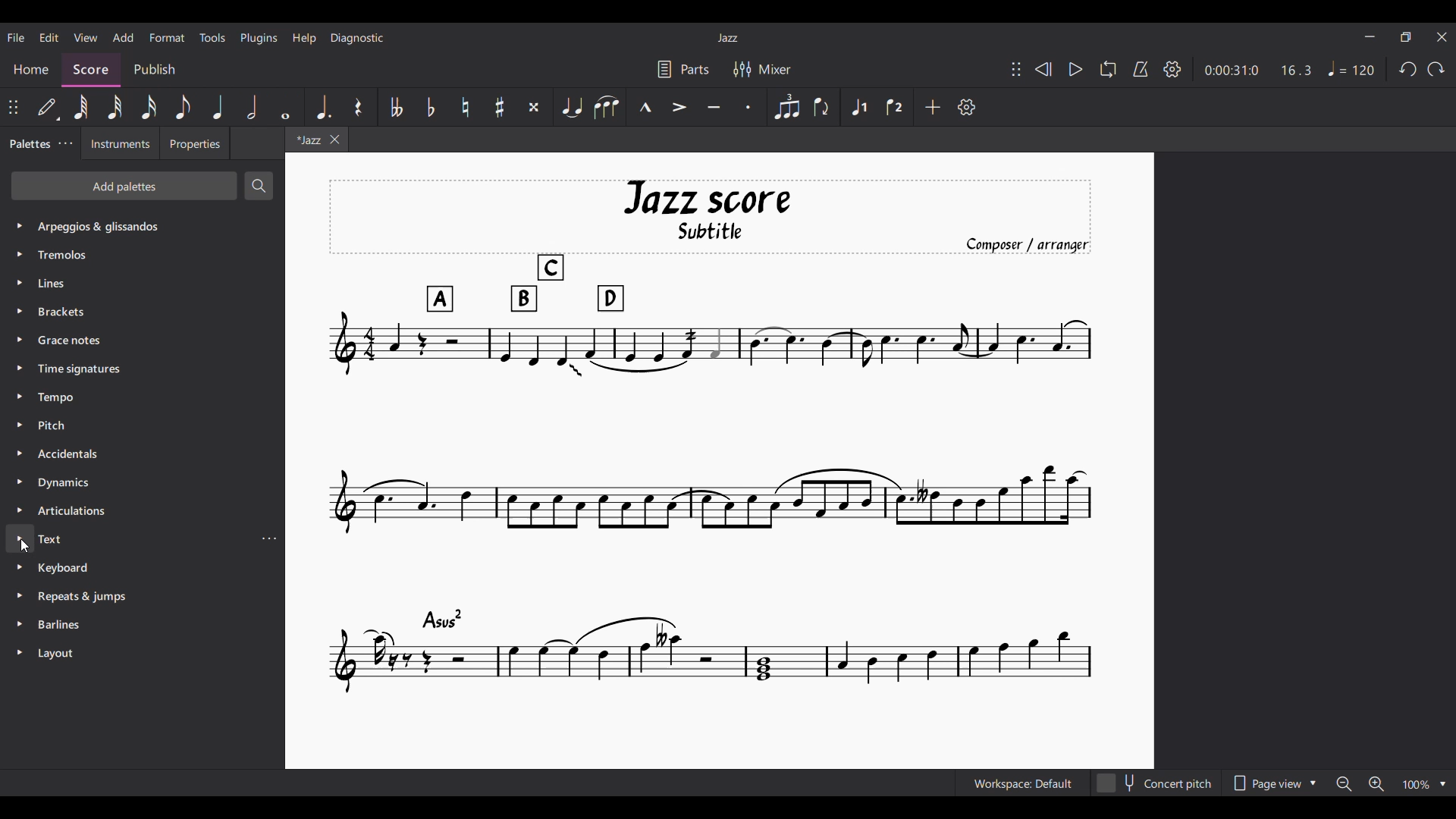 The height and width of the screenshot is (819, 1456). Describe the element at coordinates (684, 69) in the screenshot. I see `Parts settings` at that location.